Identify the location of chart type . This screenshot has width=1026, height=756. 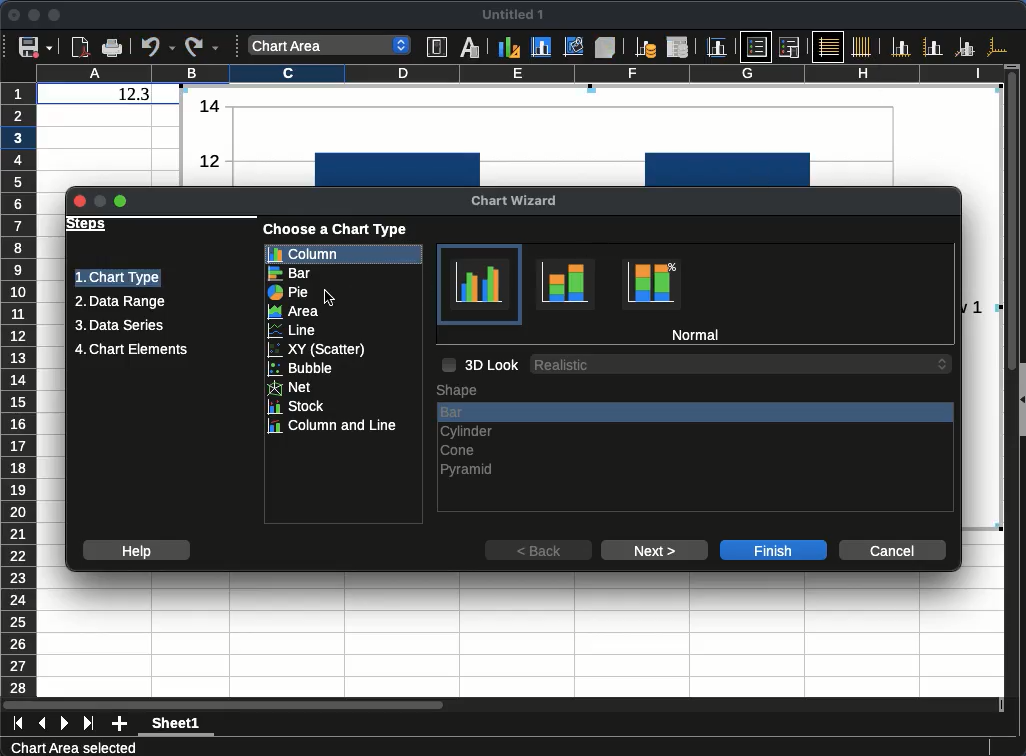
(118, 278).